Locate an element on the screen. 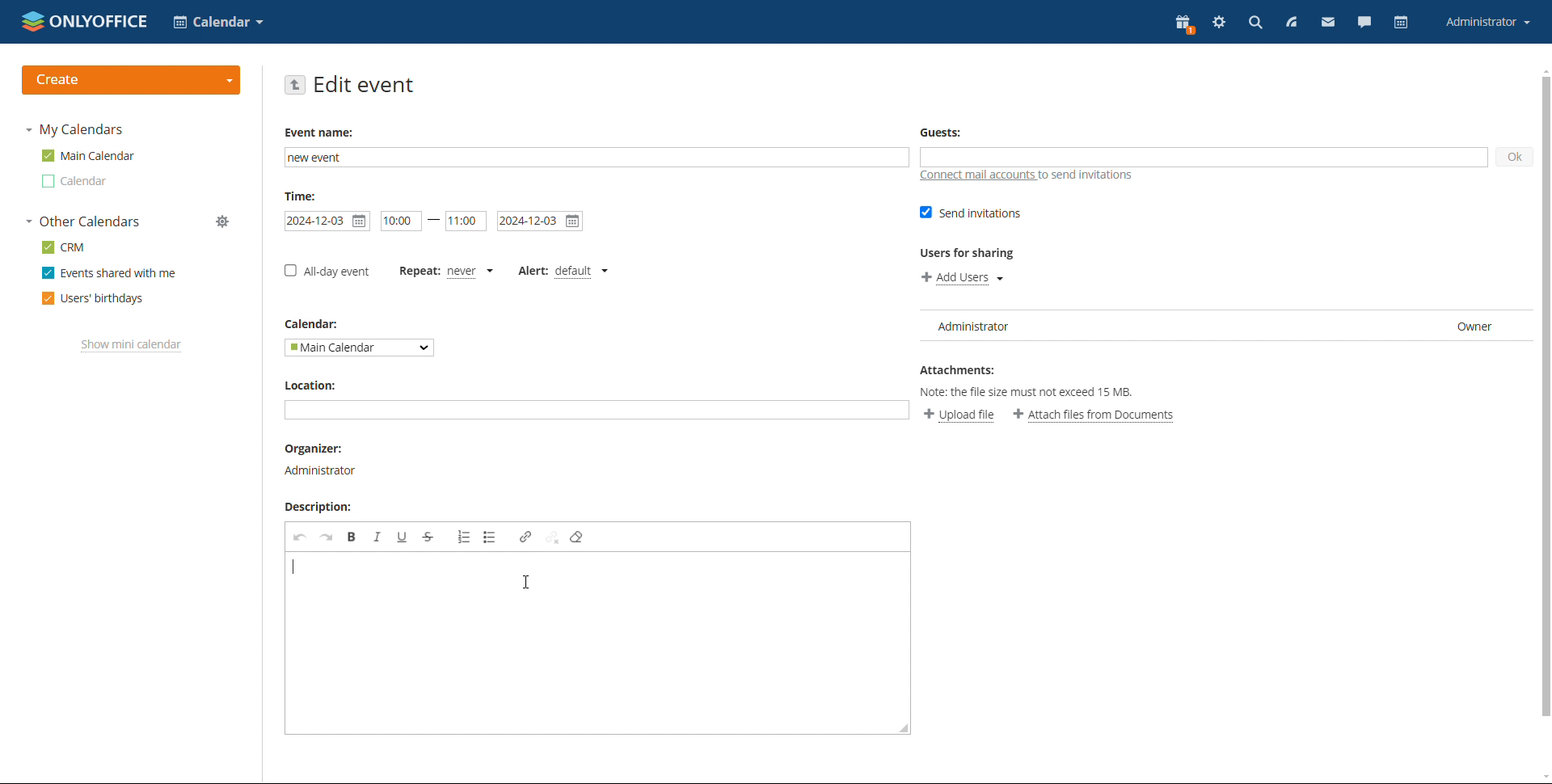 This screenshot has height=784, width=1552. undo is located at coordinates (300, 537).